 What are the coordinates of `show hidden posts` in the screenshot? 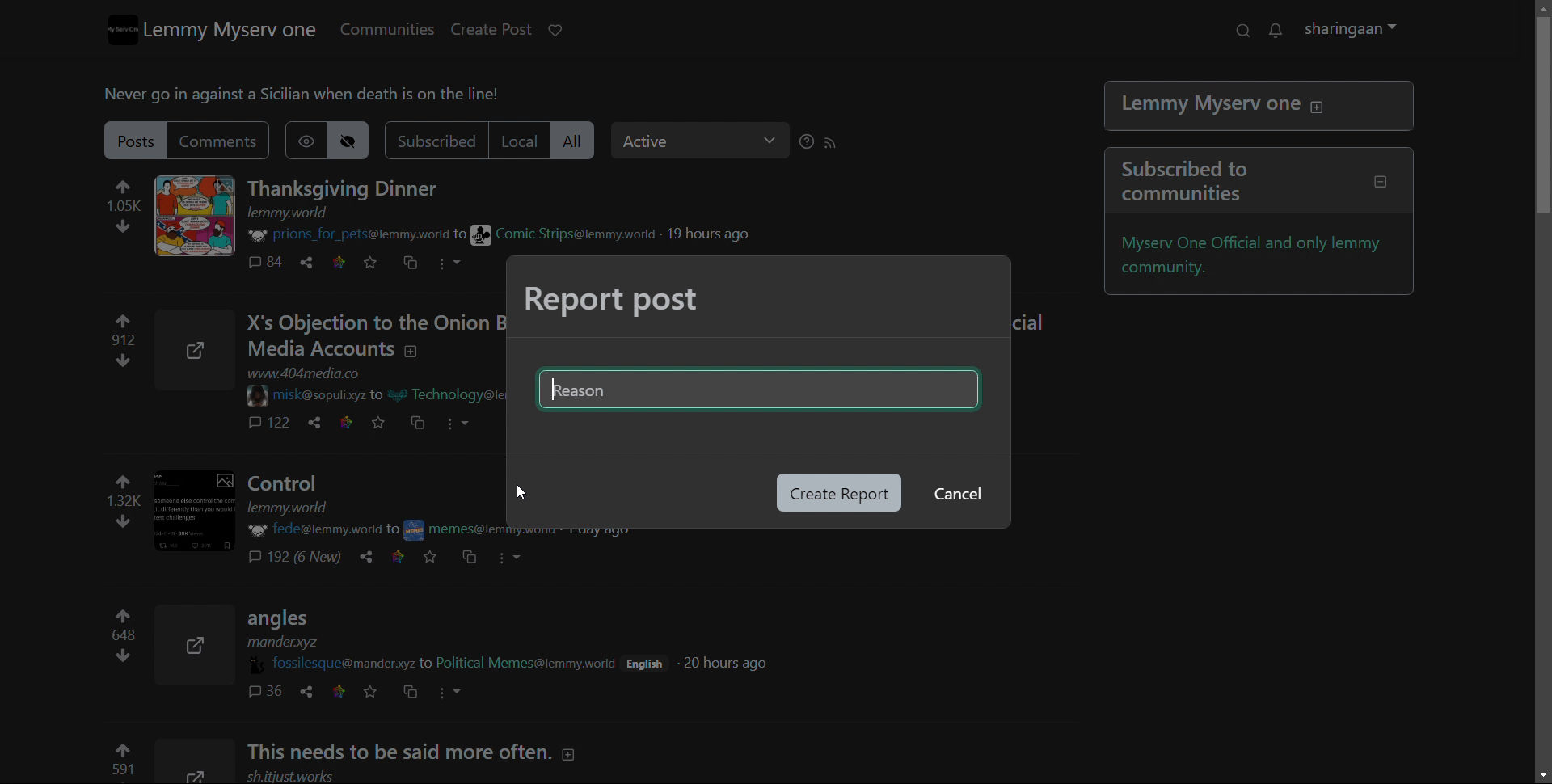 It's located at (314, 140).